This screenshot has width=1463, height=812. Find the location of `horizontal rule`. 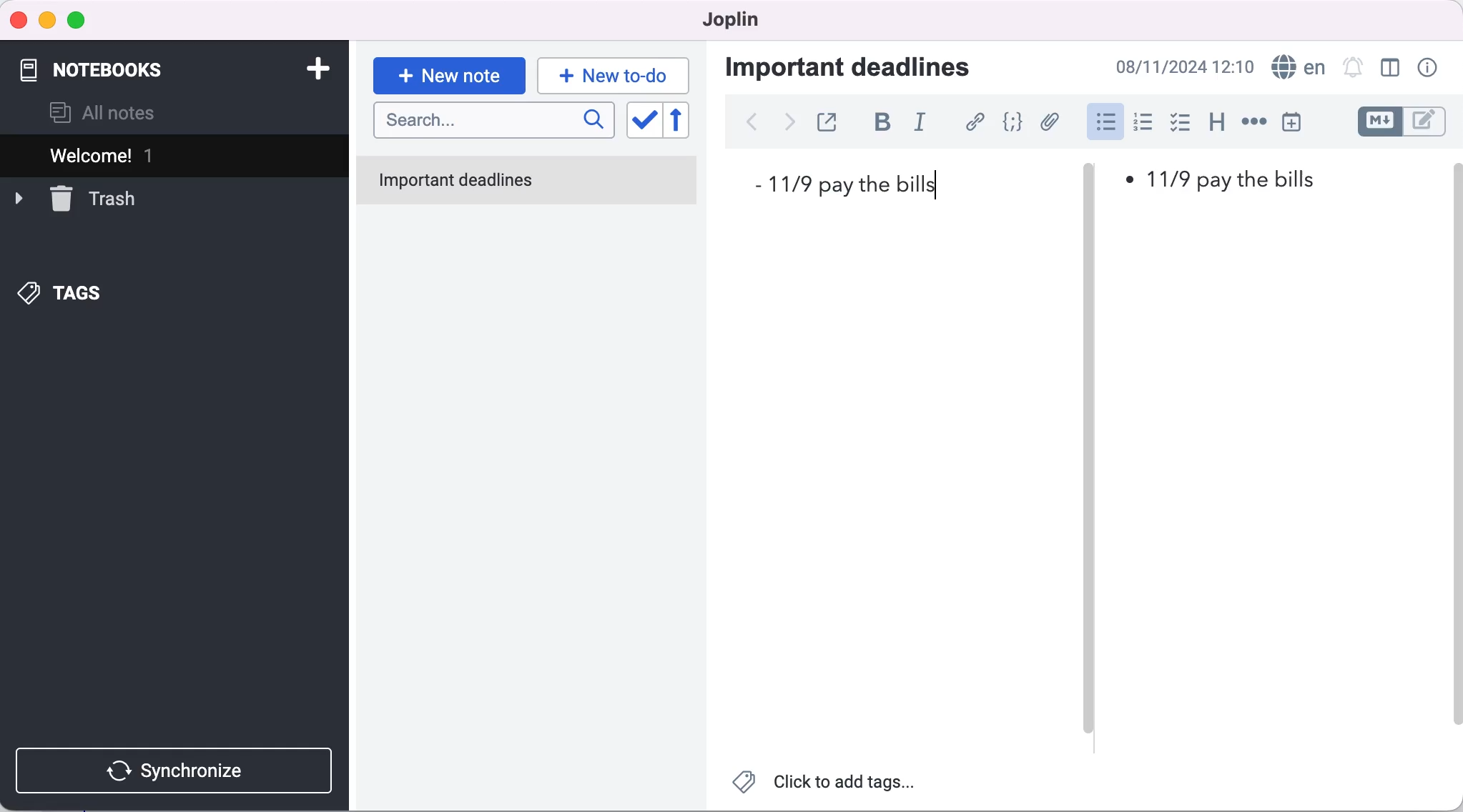

horizontal rule is located at coordinates (1253, 123).